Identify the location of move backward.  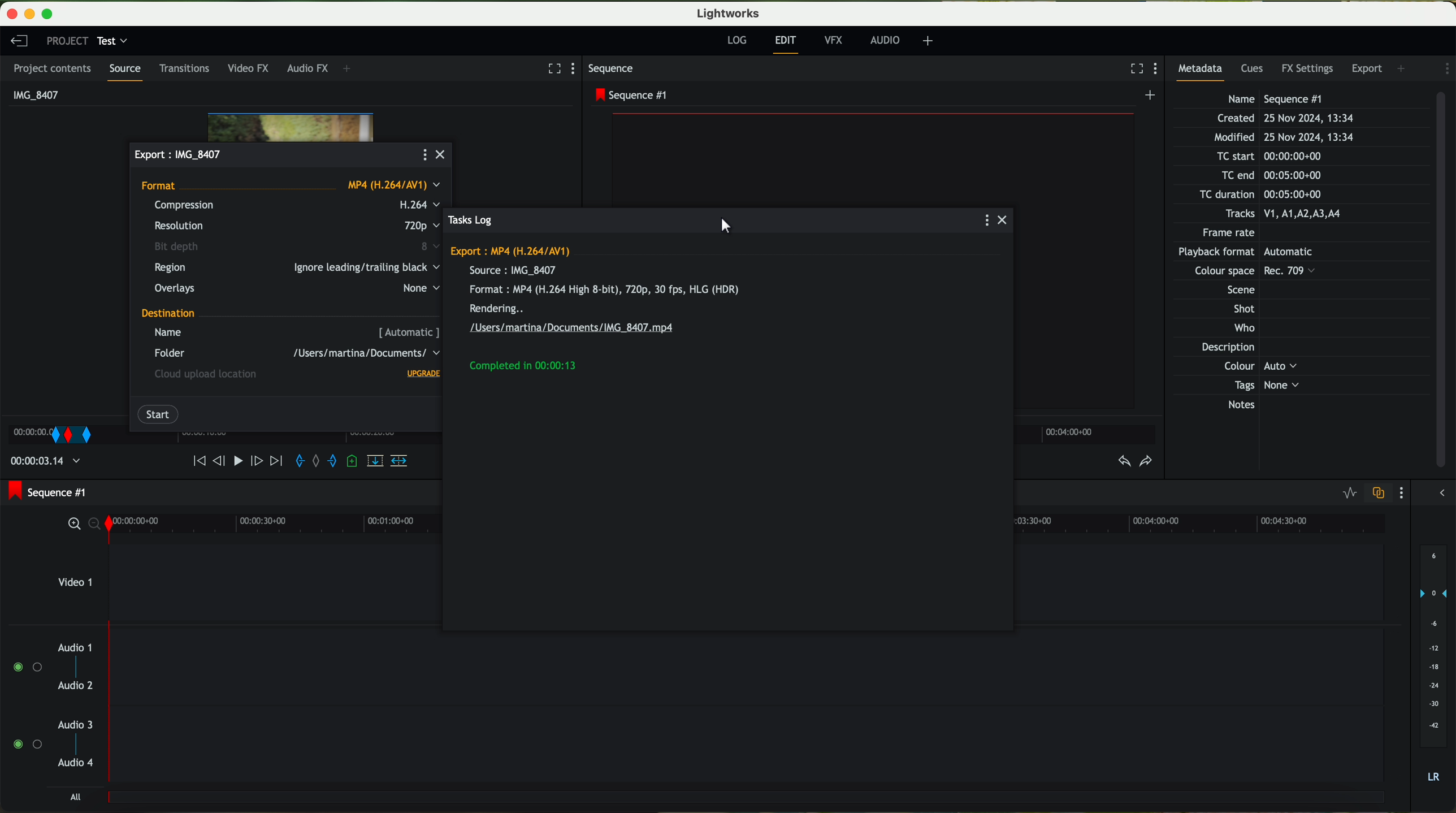
(774, 461).